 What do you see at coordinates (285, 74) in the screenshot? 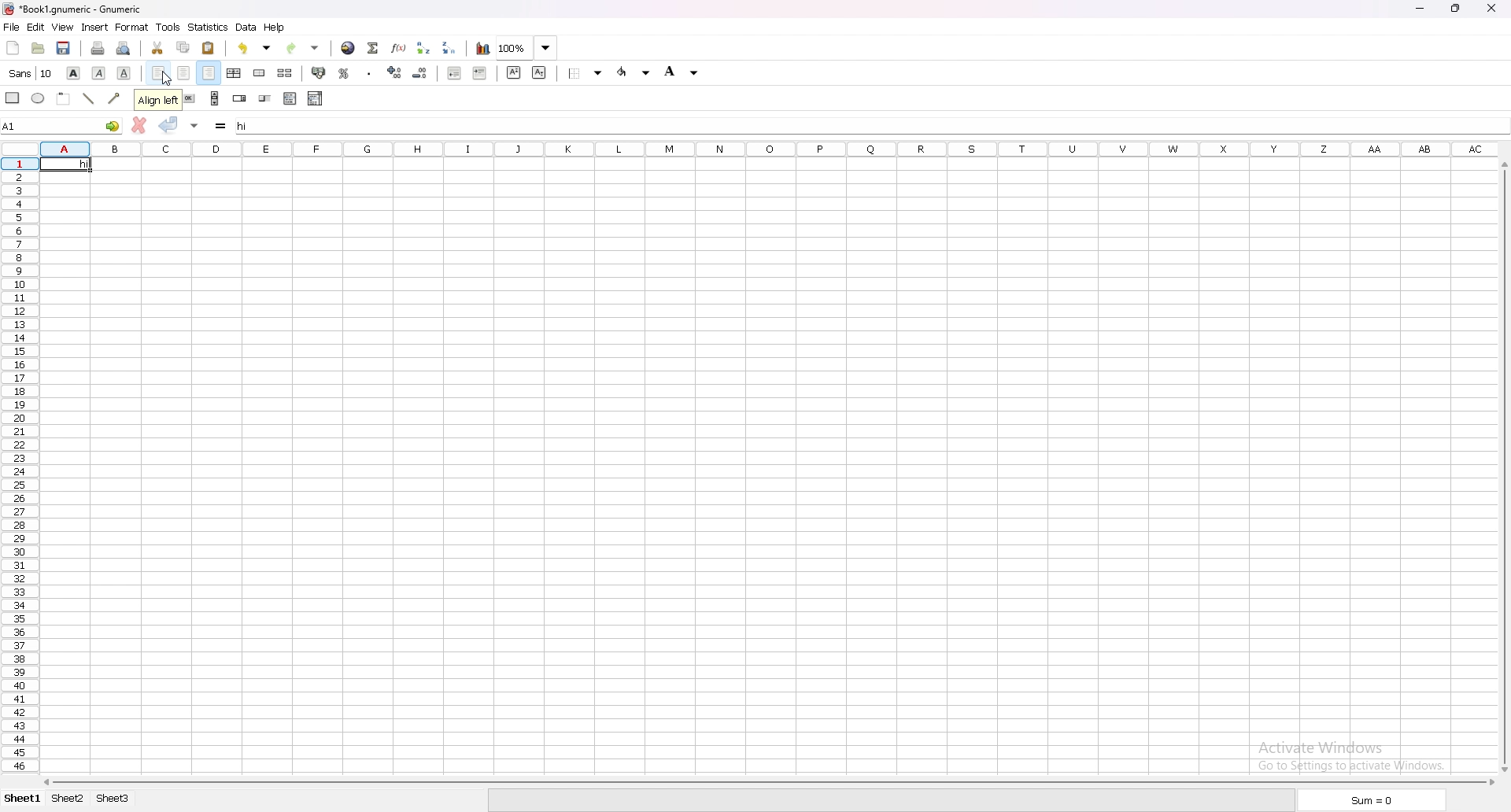
I see `split merged cells` at bounding box center [285, 74].